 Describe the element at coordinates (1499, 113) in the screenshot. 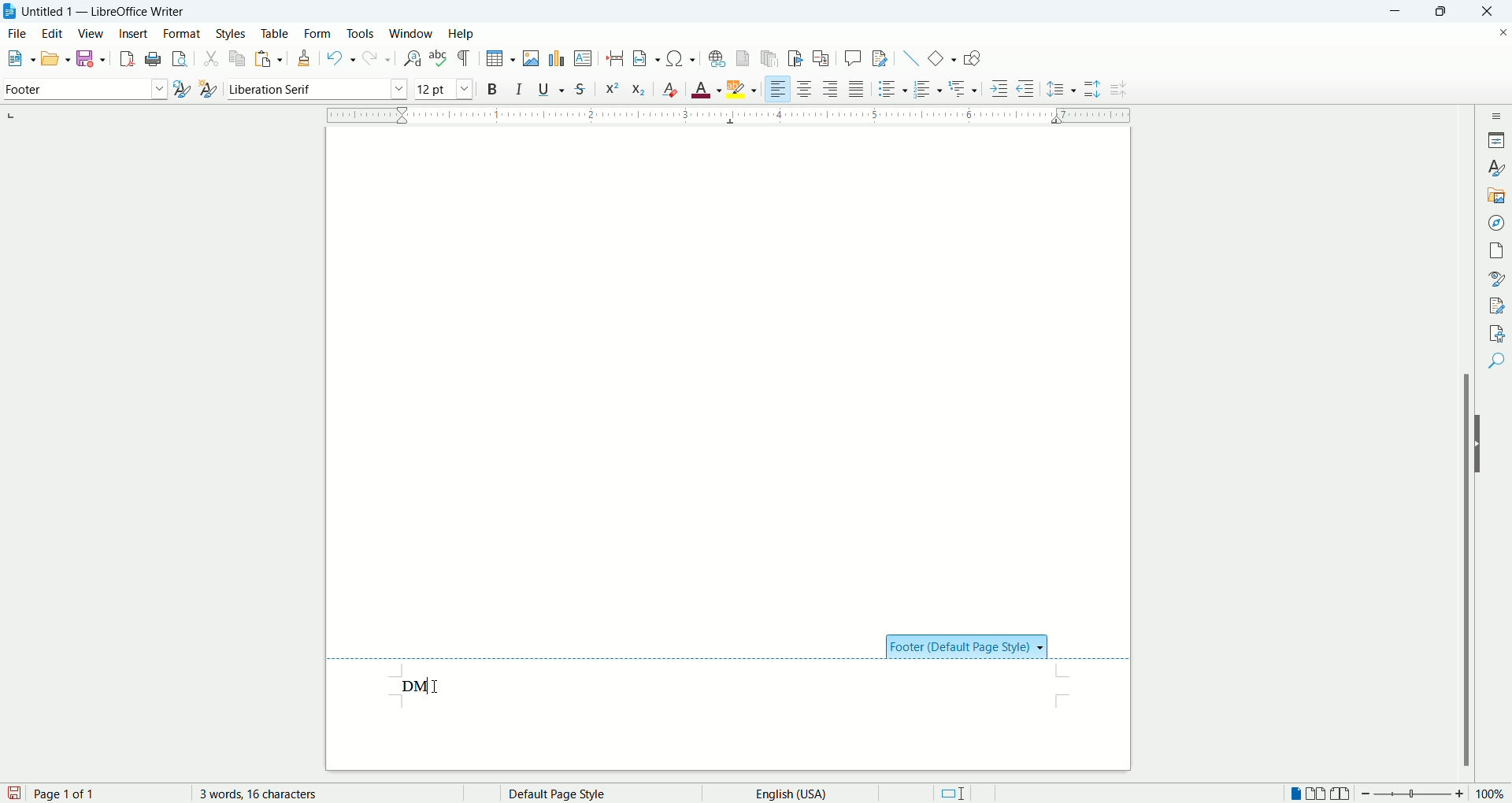

I see `sidebar settings` at that location.